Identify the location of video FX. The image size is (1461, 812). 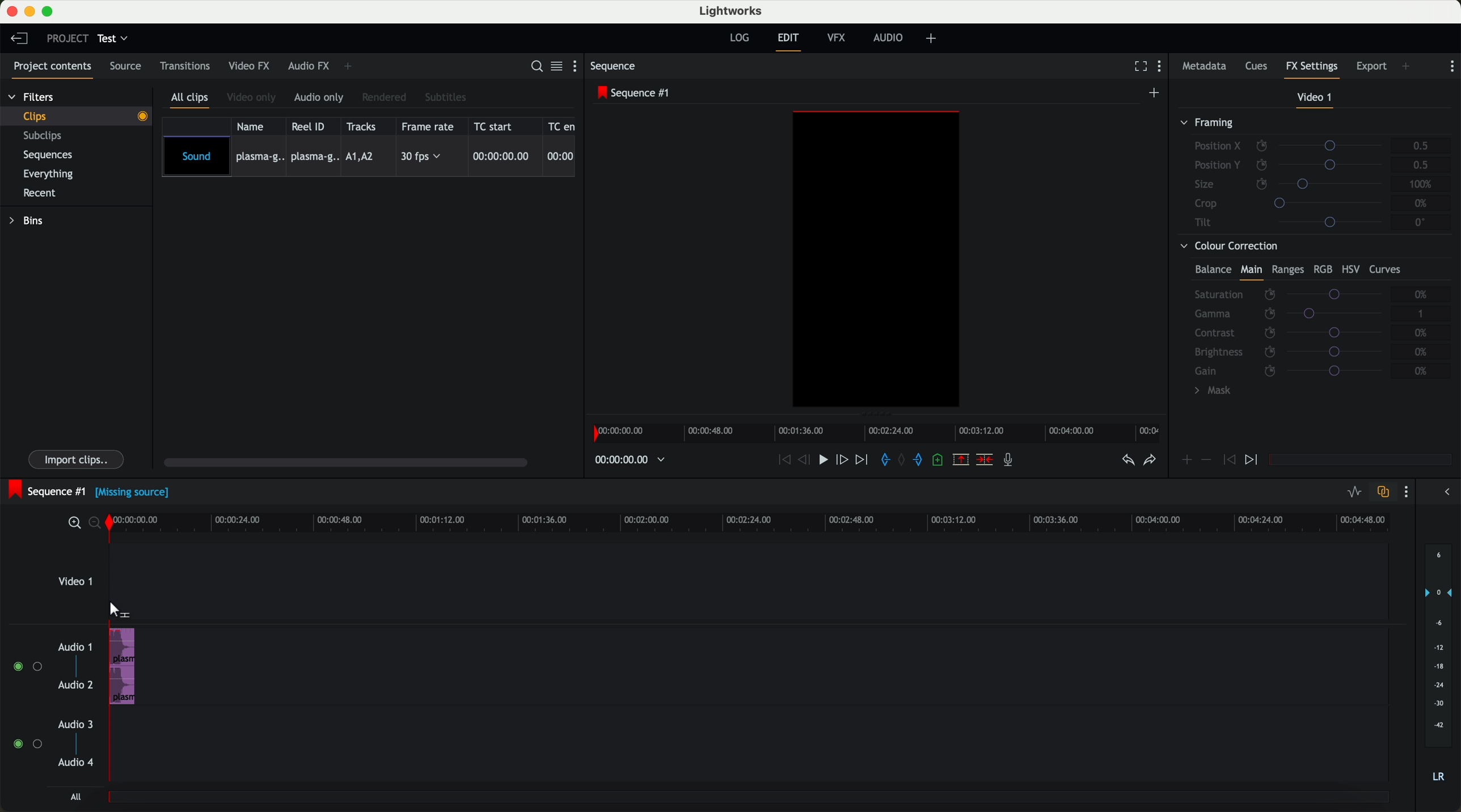
(248, 67).